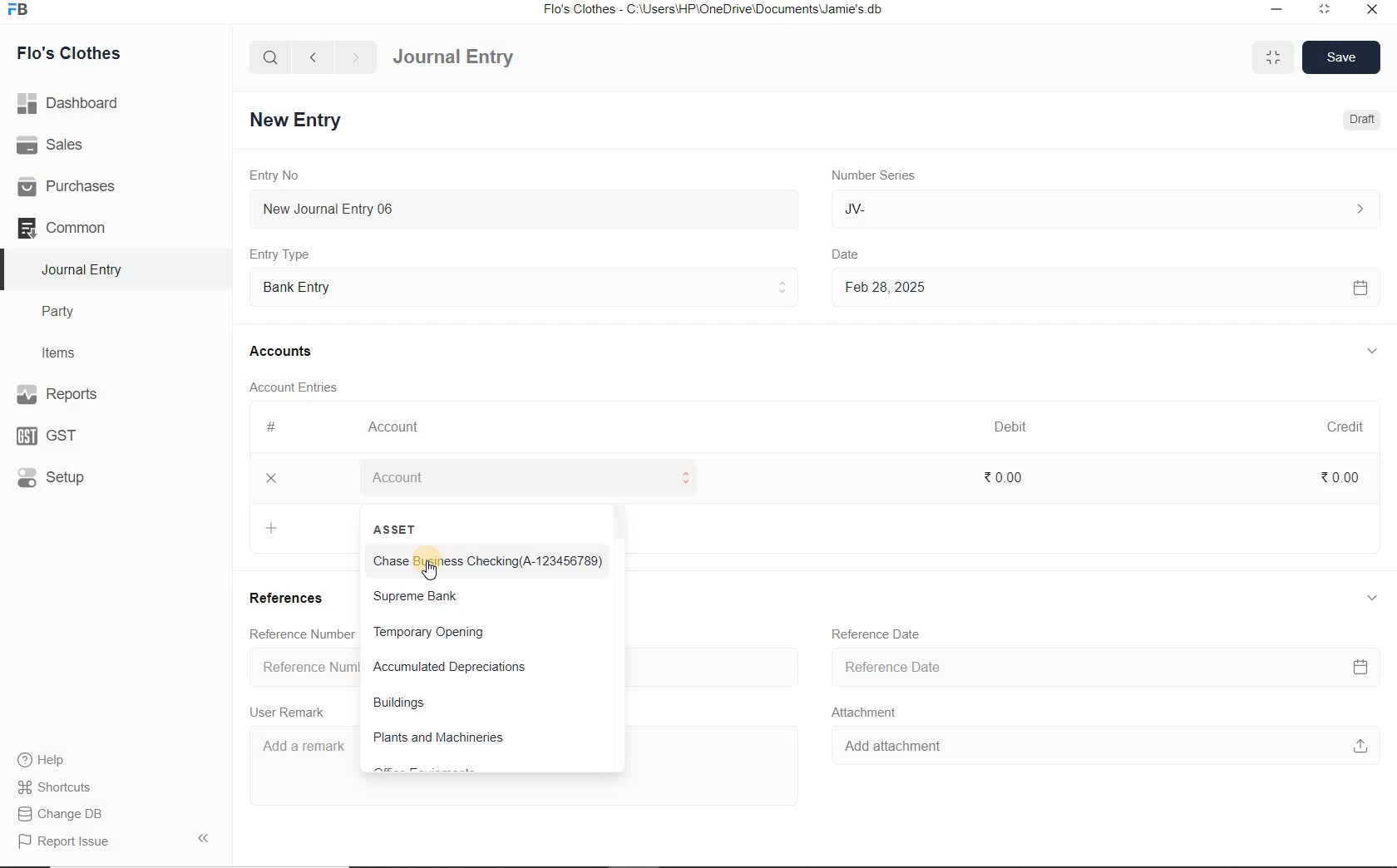 This screenshot has height=868, width=1397. I want to click on Dashboard, so click(74, 101).